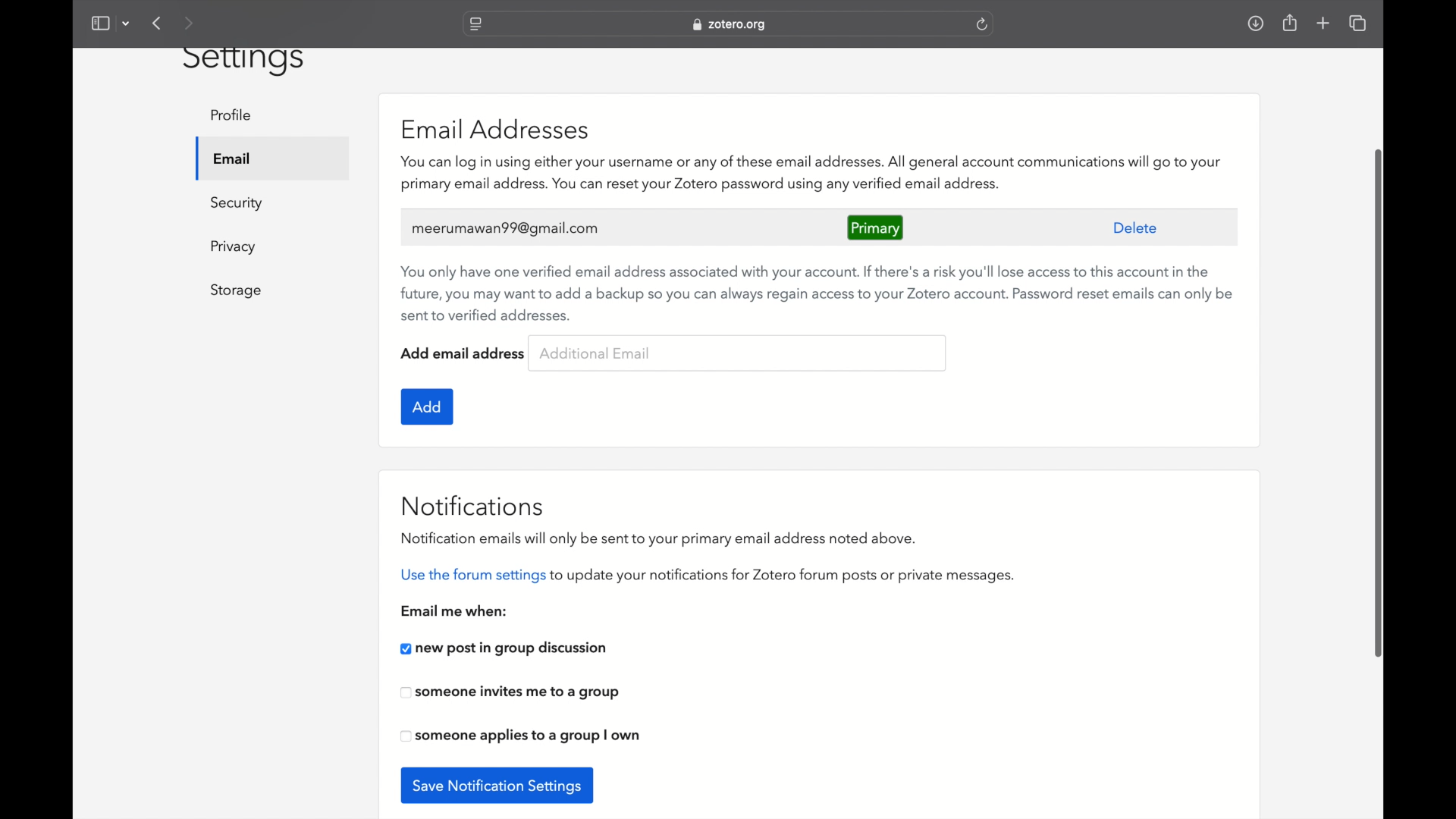  Describe the element at coordinates (497, 785) in the screenshot. I see `save notification settings` at that location.